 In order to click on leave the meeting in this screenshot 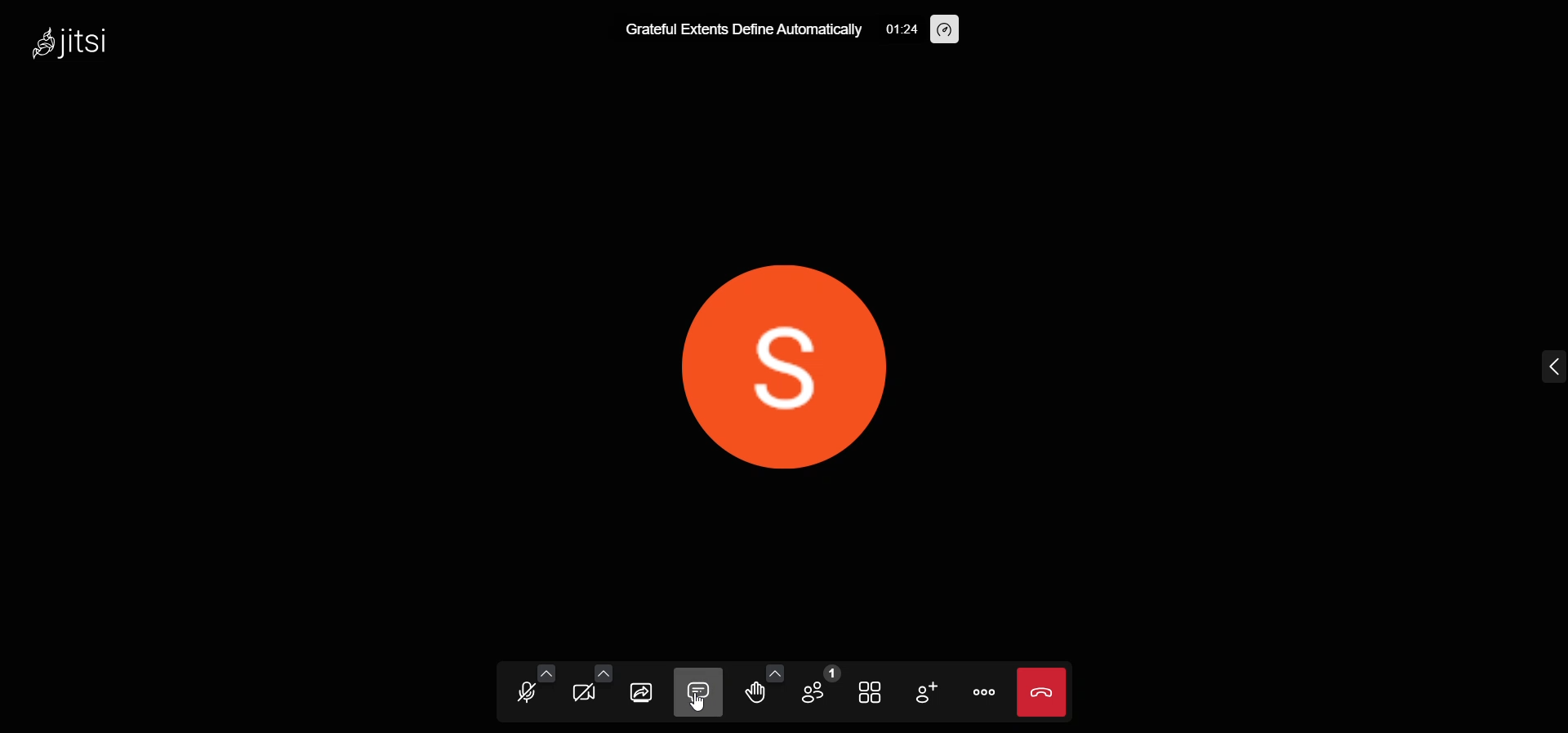, I will do `click(1042, 692)`.